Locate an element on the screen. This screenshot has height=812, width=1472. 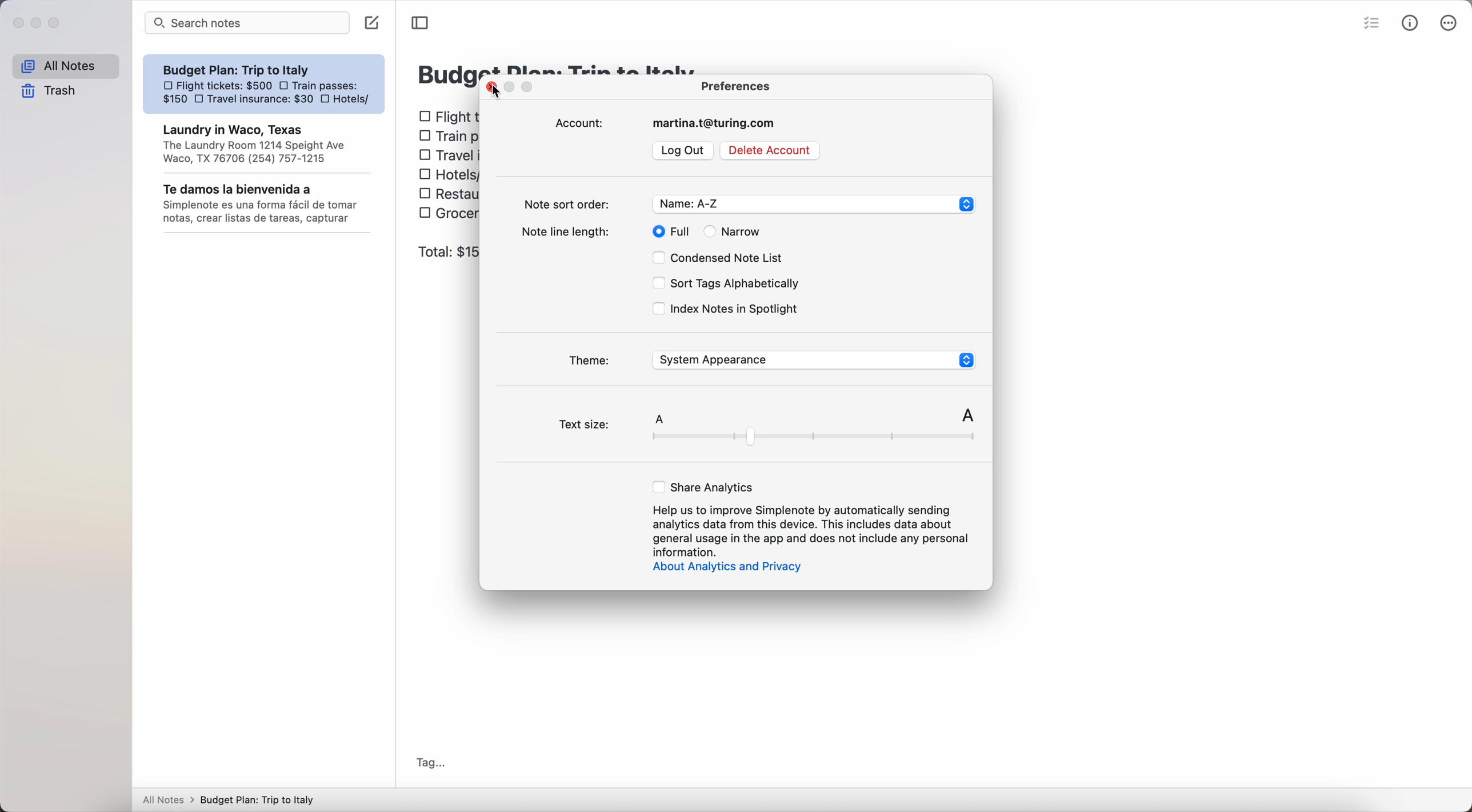
checkbox body text is located at coordinates (449, 167).